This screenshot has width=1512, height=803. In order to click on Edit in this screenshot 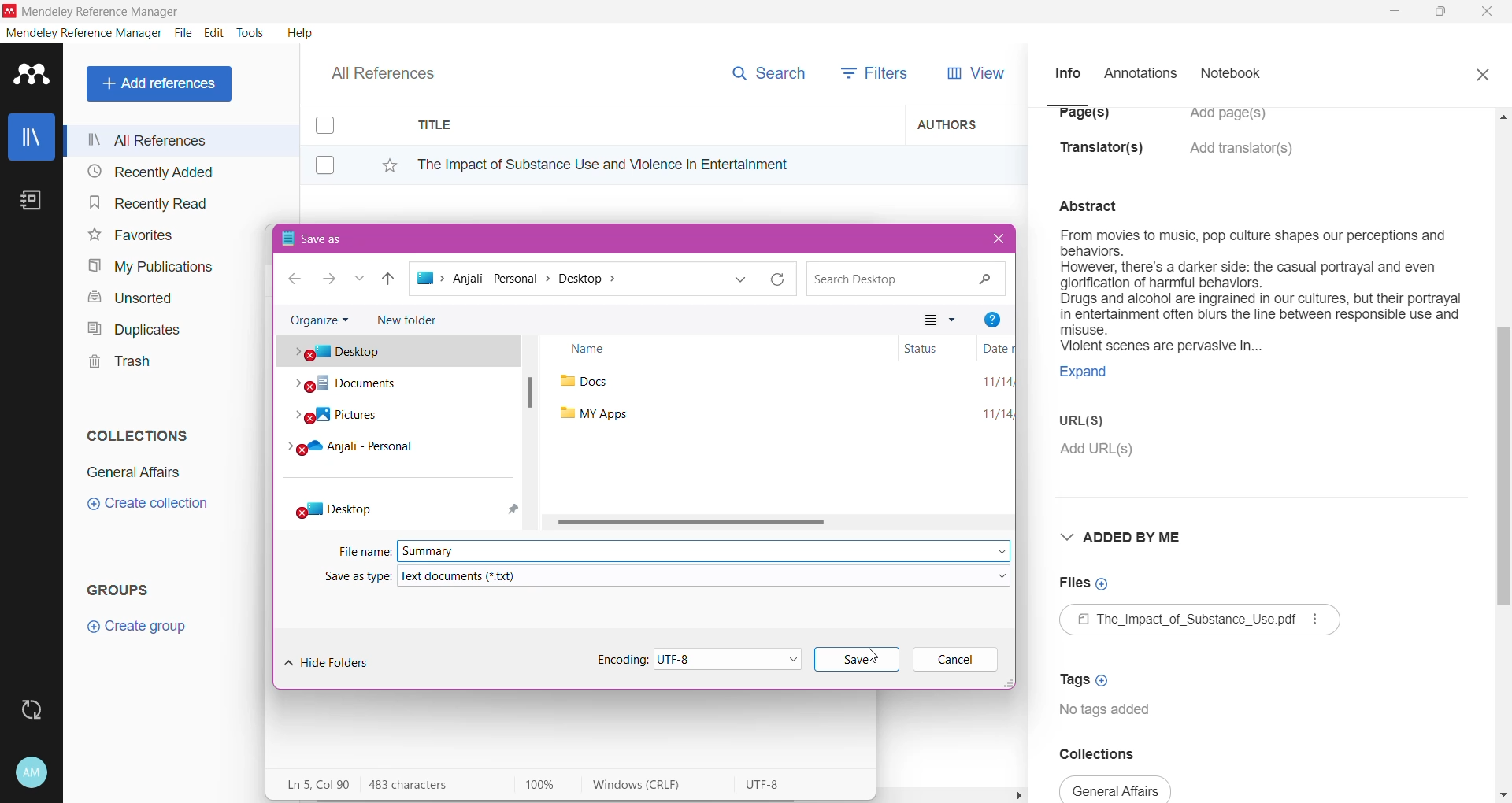, I will do `click(214, 33)`.